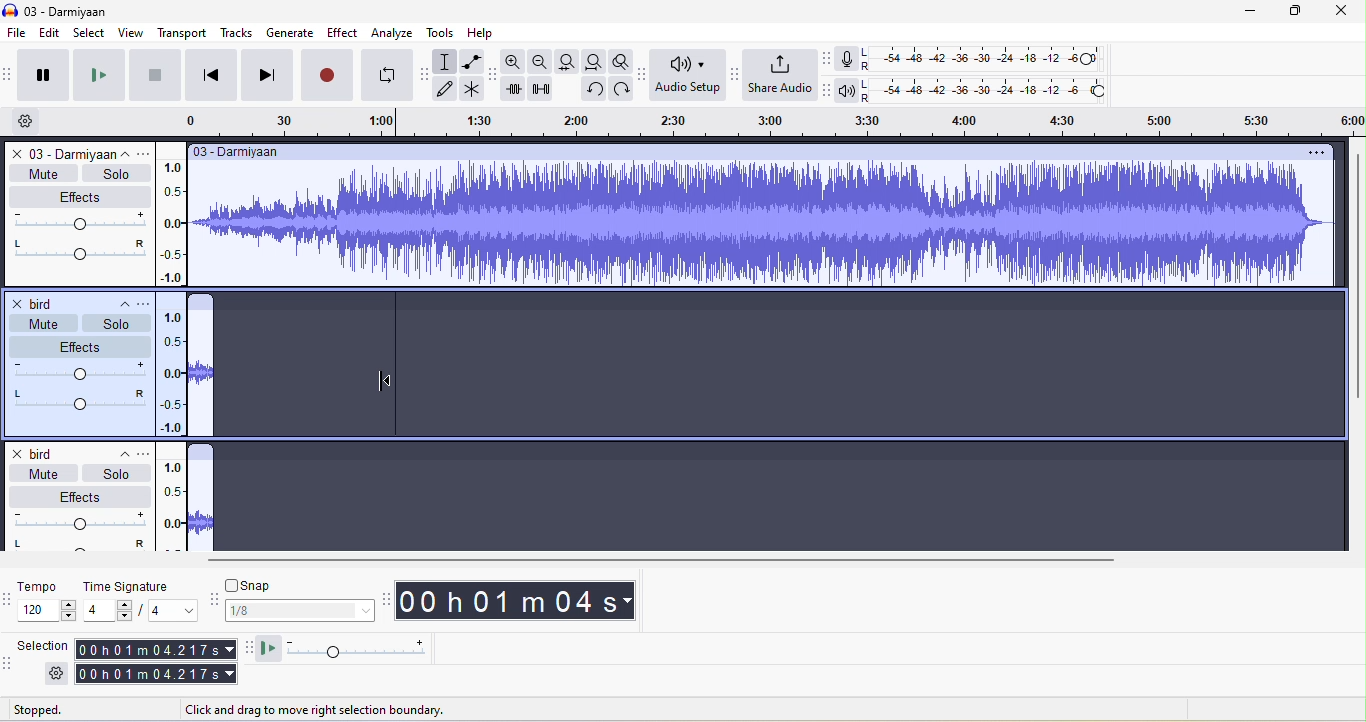 This screenshot has height=722, width=1366. I want to click on file, so click(18, 33).